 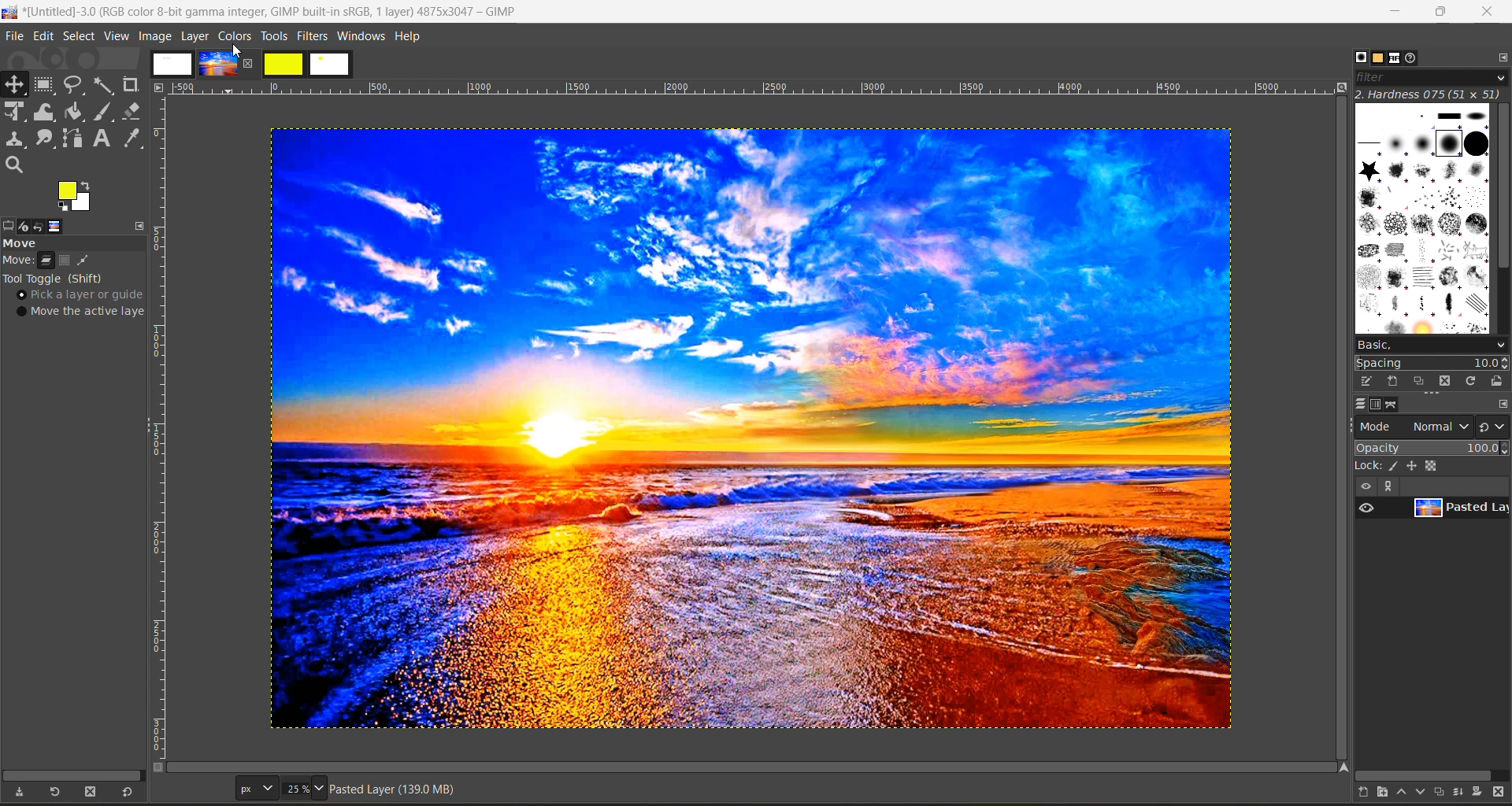 What do you see at coordinates (396, 792) in the screenshot?
I see `metadata` at bounding box center [396, 792].